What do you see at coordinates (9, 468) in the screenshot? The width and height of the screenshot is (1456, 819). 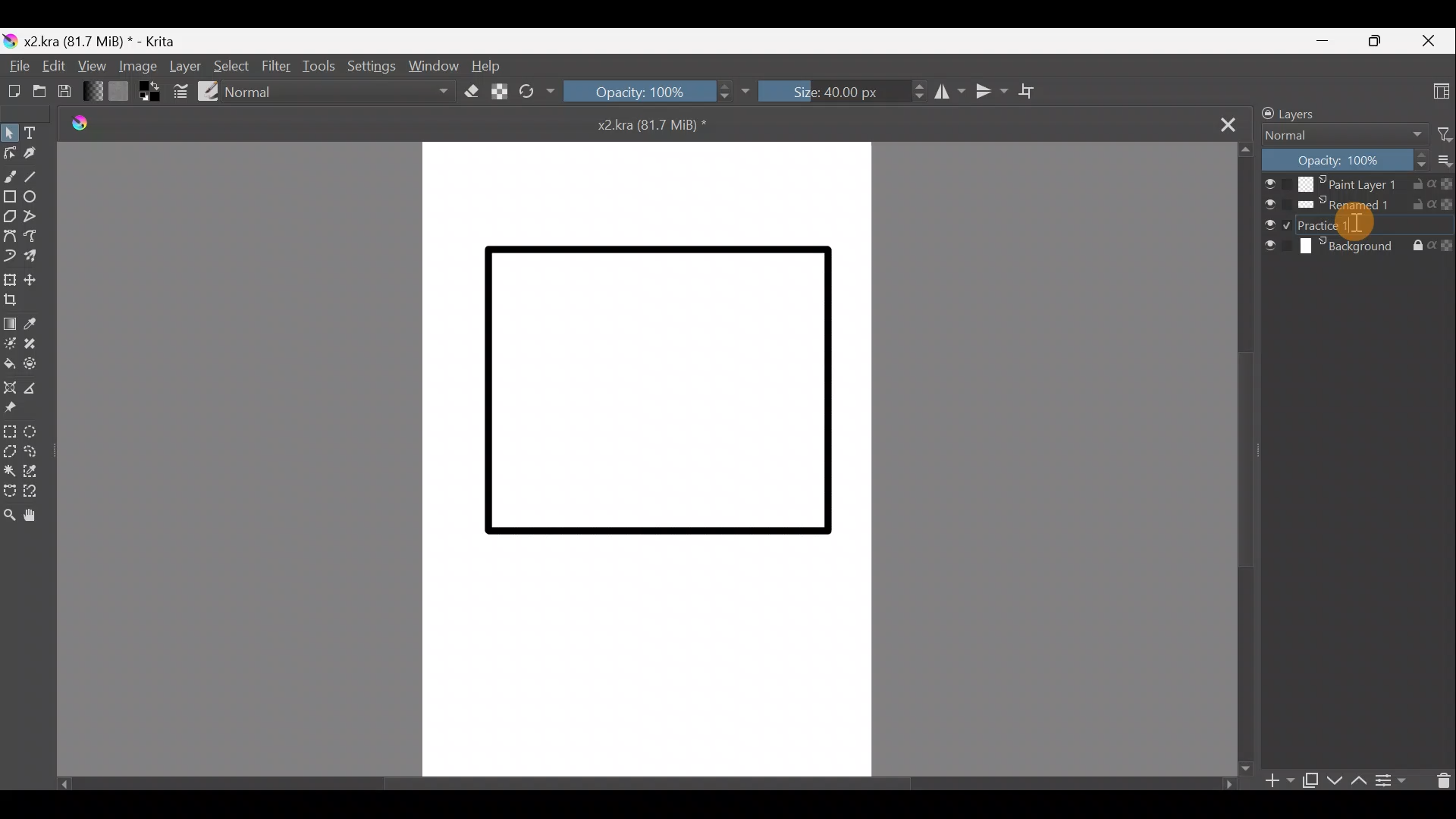 I see `Contiguous selection tool` at bounding box center [9, 468].